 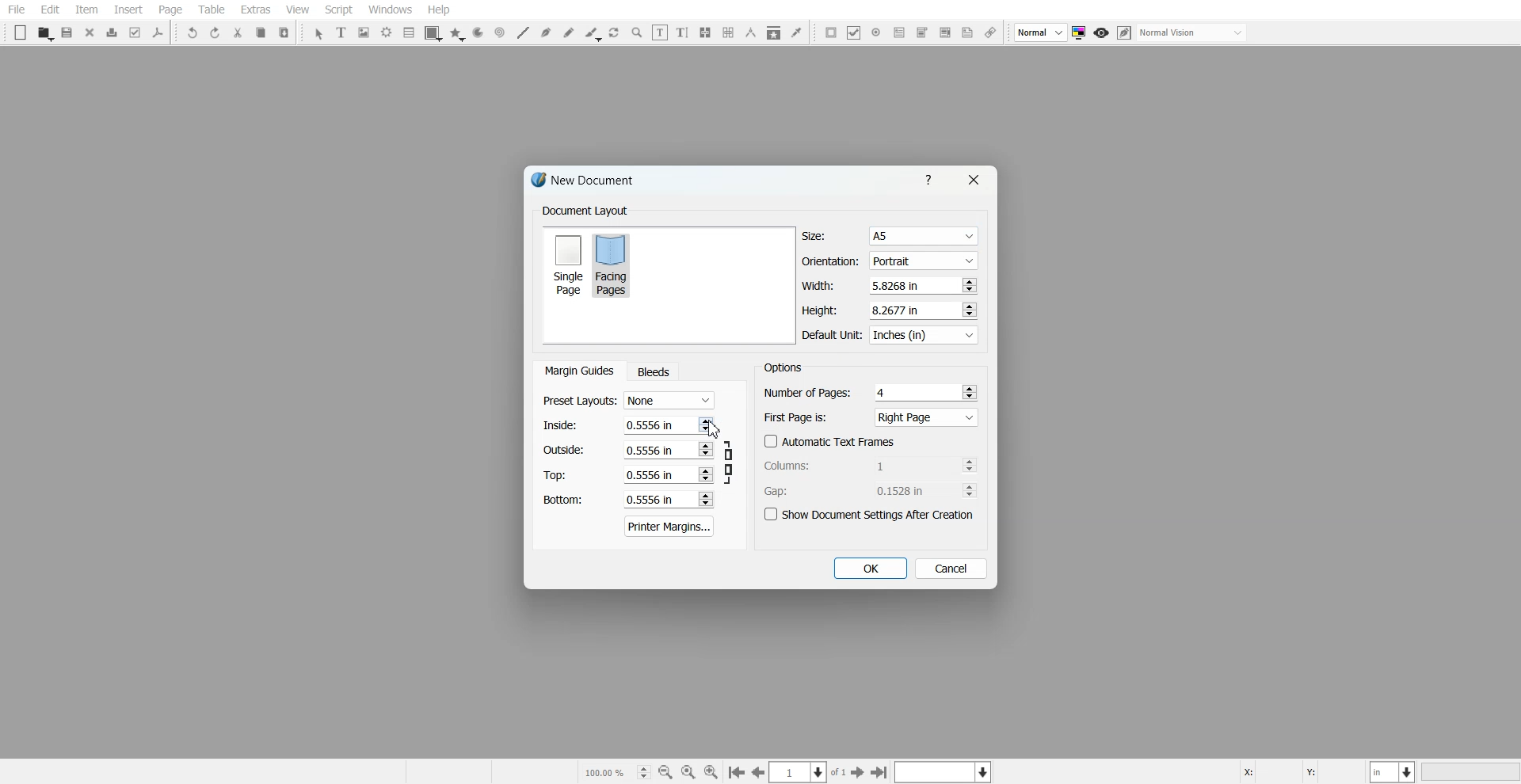 I want to click on List, so click(x=410, y=32).